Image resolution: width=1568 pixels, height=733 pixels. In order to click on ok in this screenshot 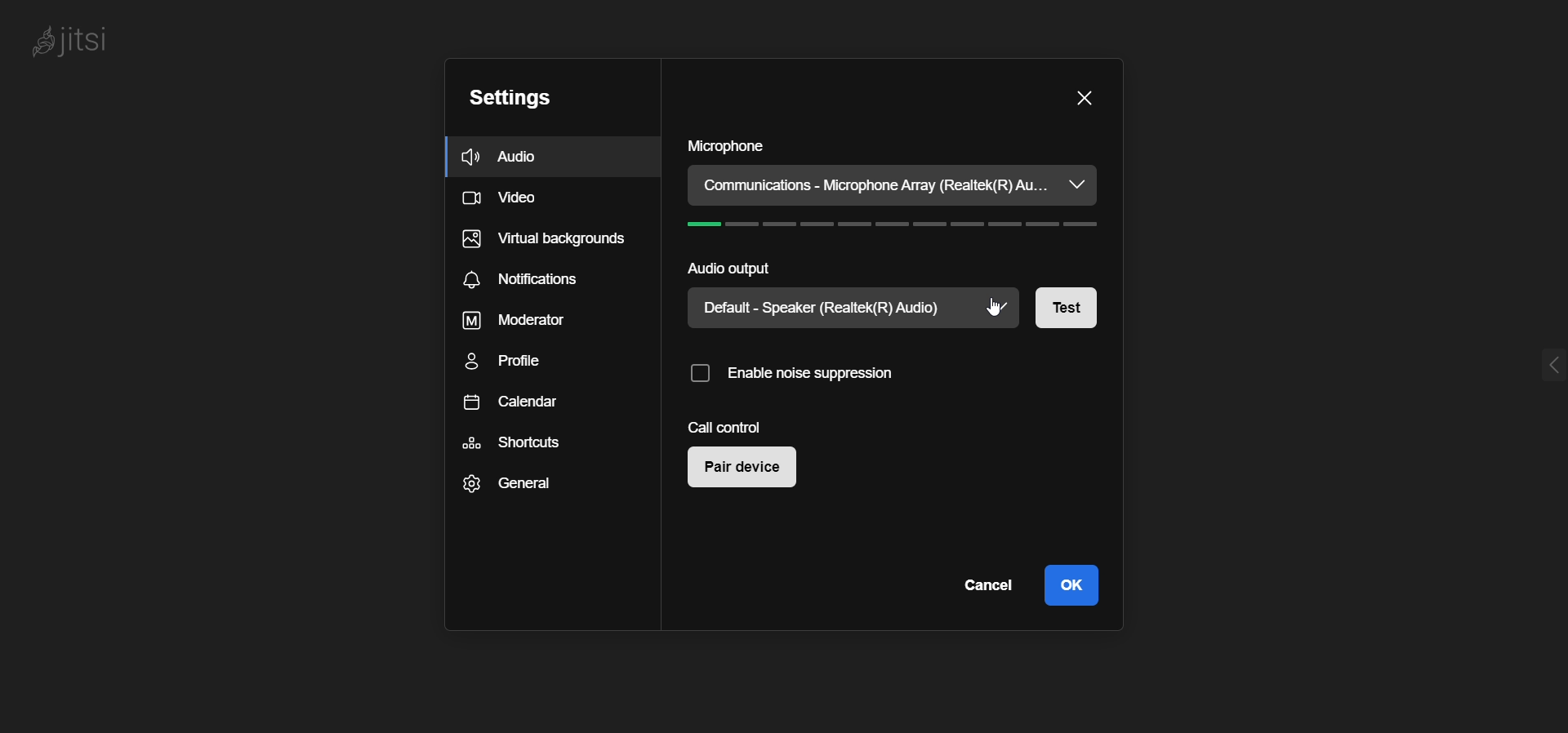, I will do `click(1071, 584)`.